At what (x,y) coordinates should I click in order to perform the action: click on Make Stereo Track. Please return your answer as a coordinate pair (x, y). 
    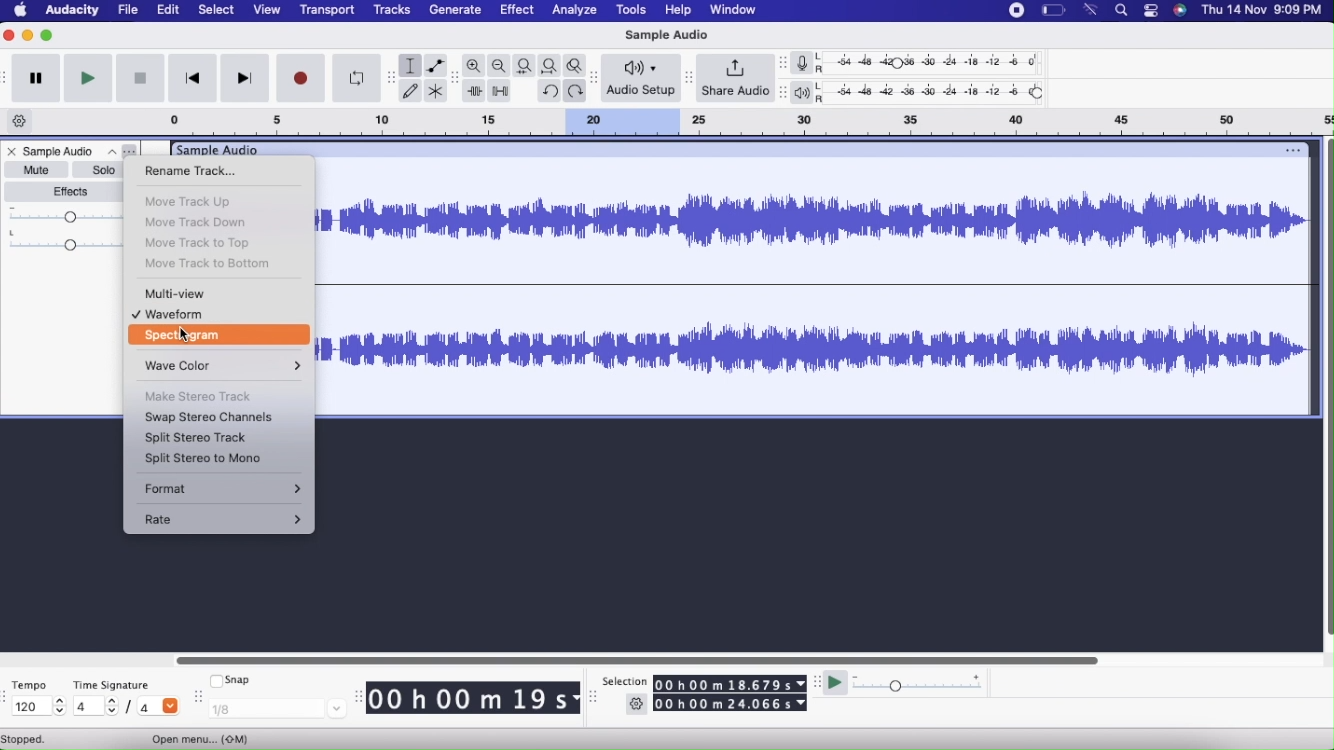
    Looking at the image, I should click on (199, 397).